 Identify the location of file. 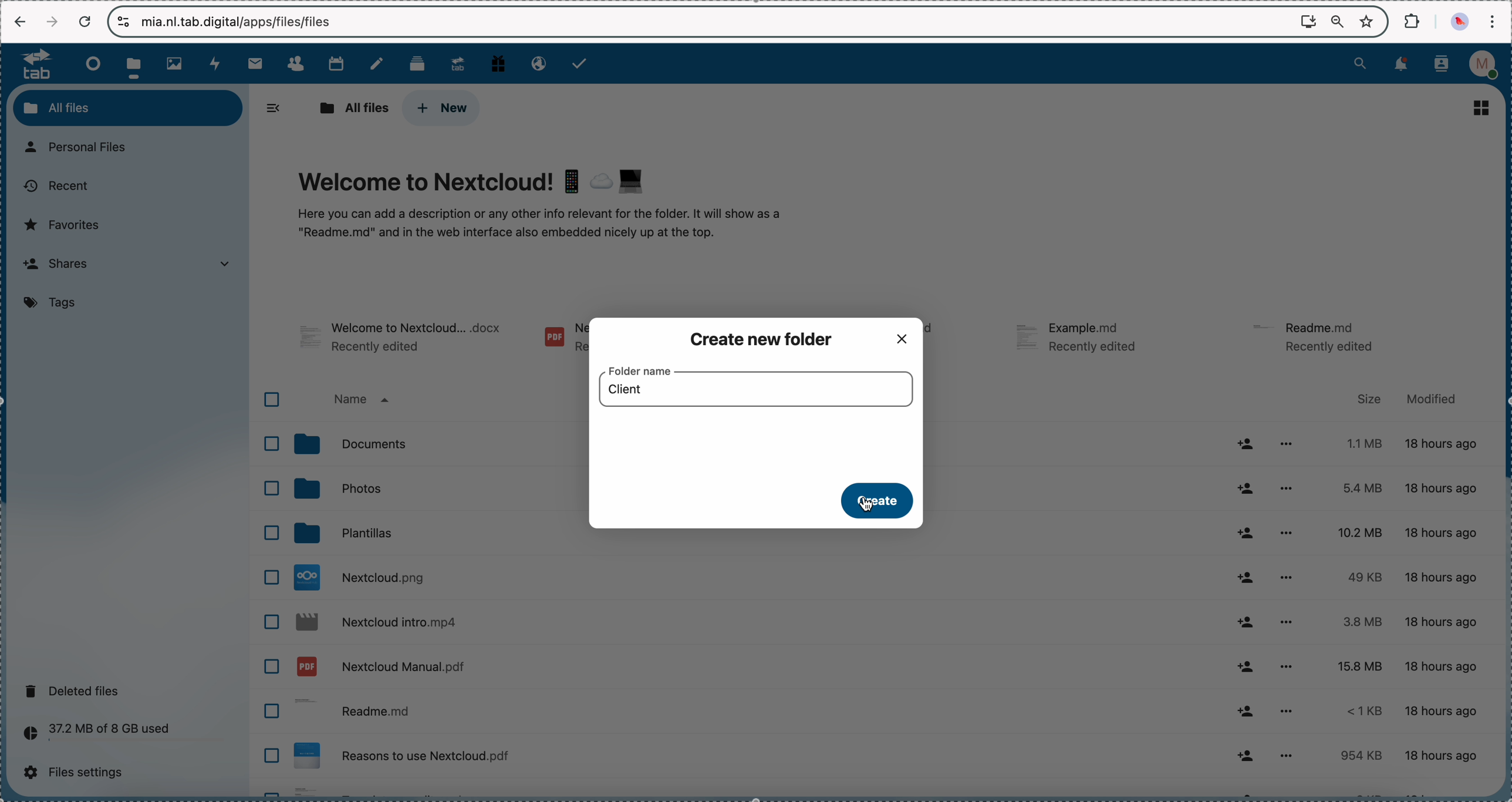
(1318, 336).